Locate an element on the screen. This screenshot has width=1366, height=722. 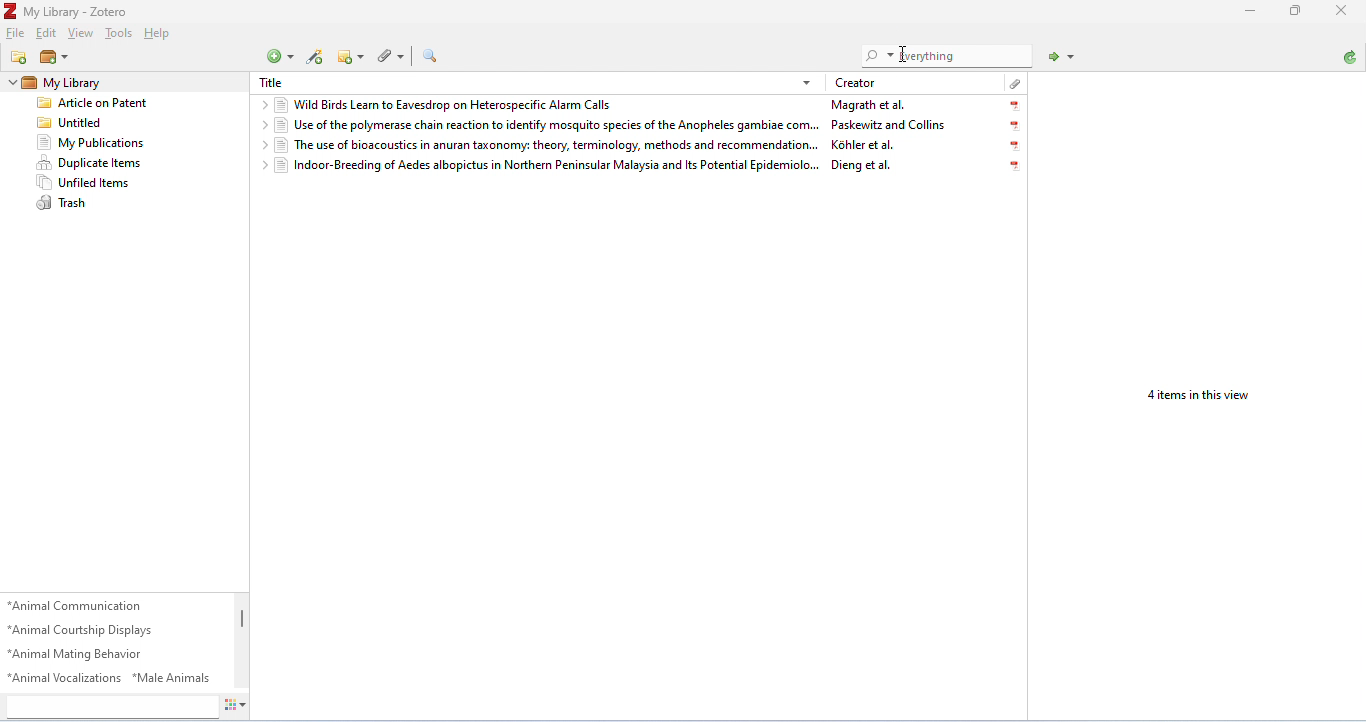
My Library is located at coordinates (64, 81).